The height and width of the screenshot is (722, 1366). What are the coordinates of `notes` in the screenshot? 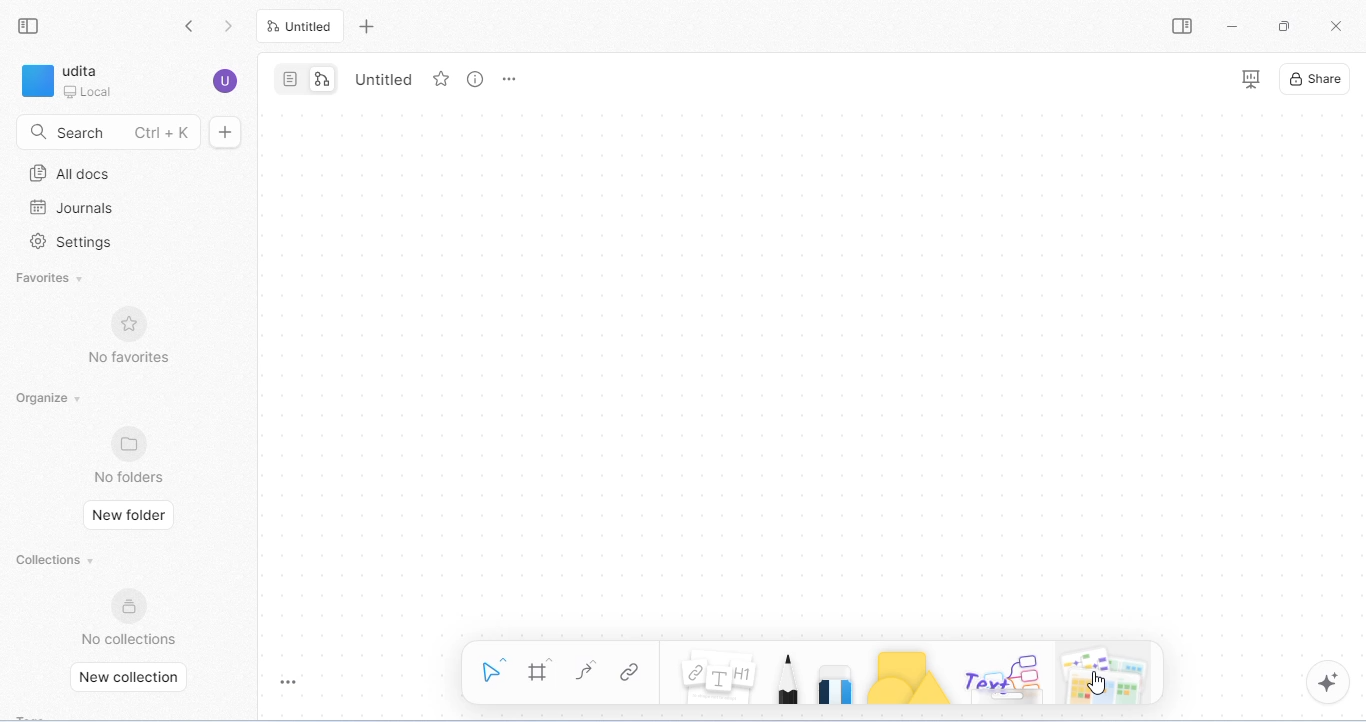 It's located at (719, 674).